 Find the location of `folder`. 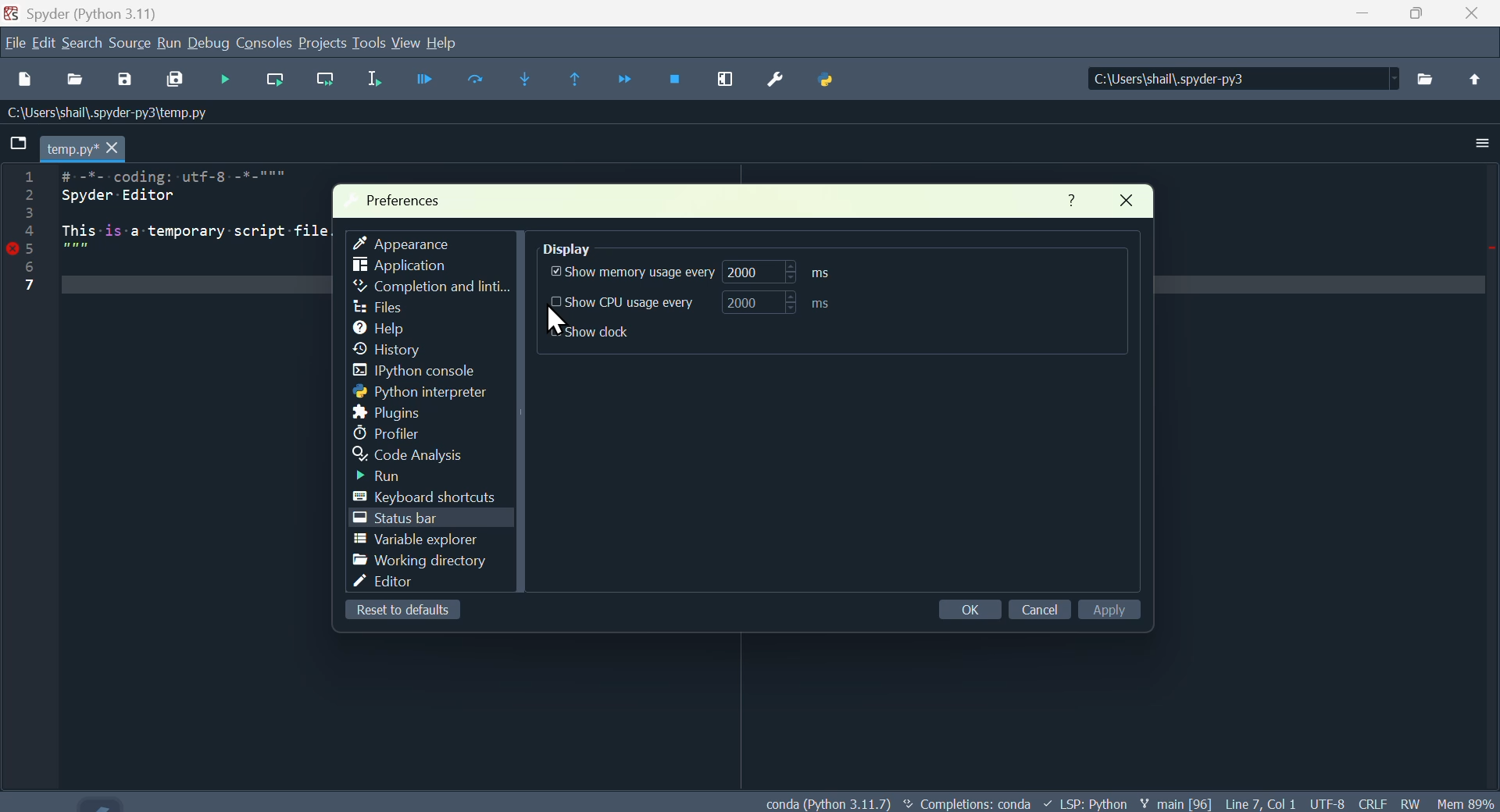

folder is located at coordinates (17, 146).